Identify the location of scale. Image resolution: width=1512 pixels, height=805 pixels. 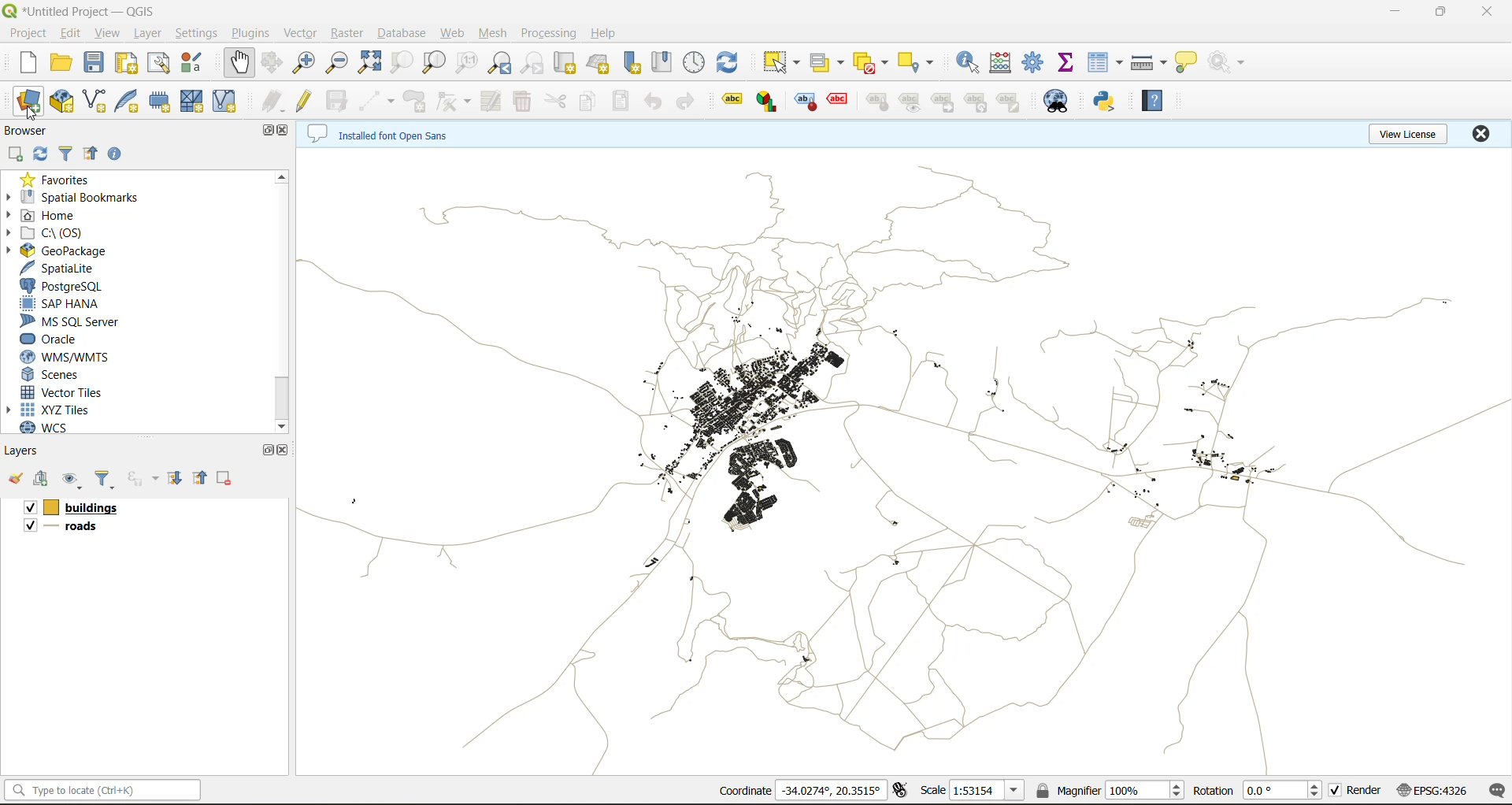
(932, 789).